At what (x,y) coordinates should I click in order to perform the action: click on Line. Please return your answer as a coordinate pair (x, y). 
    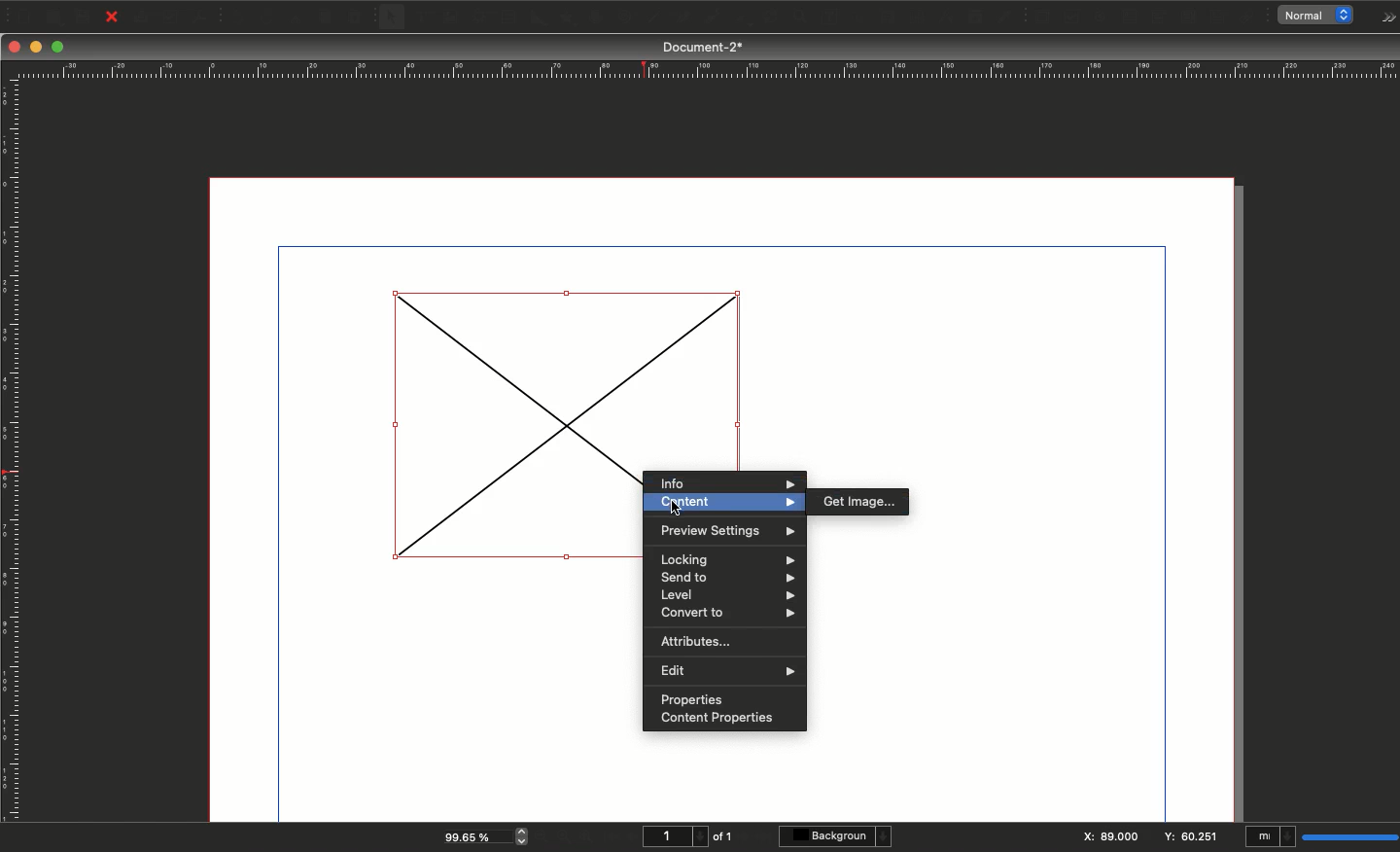
    Looking at the image, I should click on (652, 18).